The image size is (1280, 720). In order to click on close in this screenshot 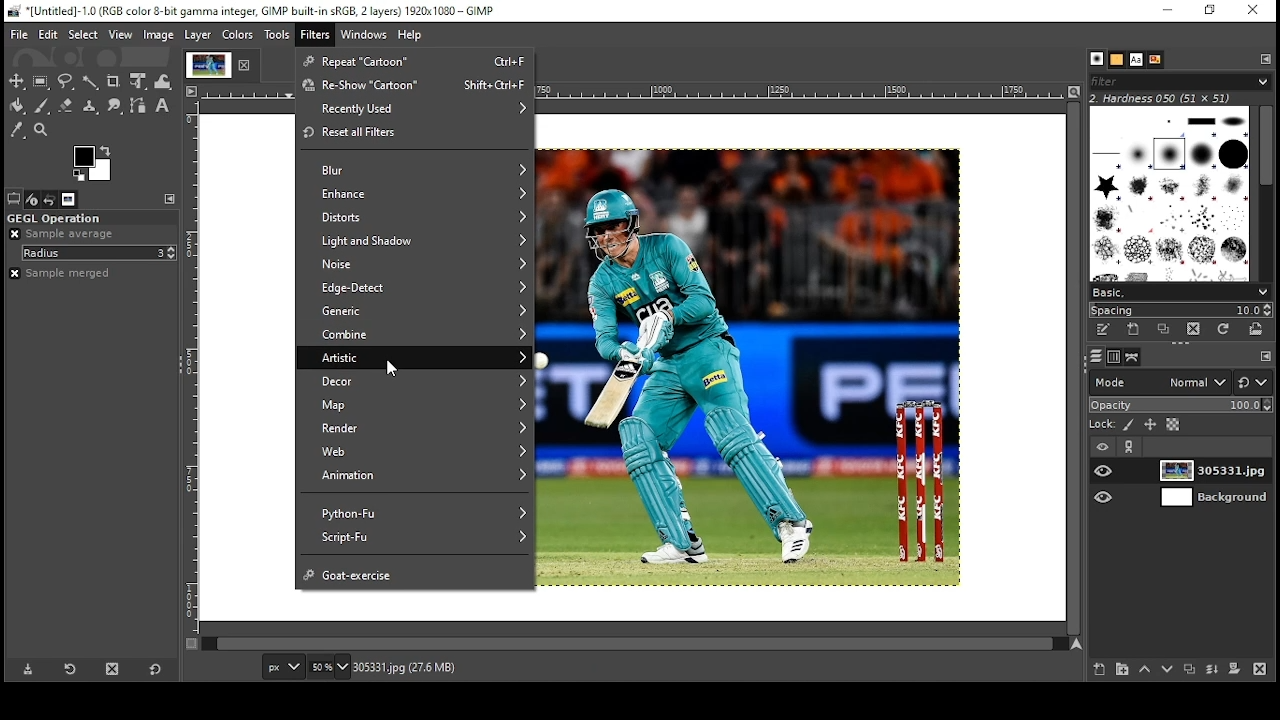, I will do `click(247, 64)`.